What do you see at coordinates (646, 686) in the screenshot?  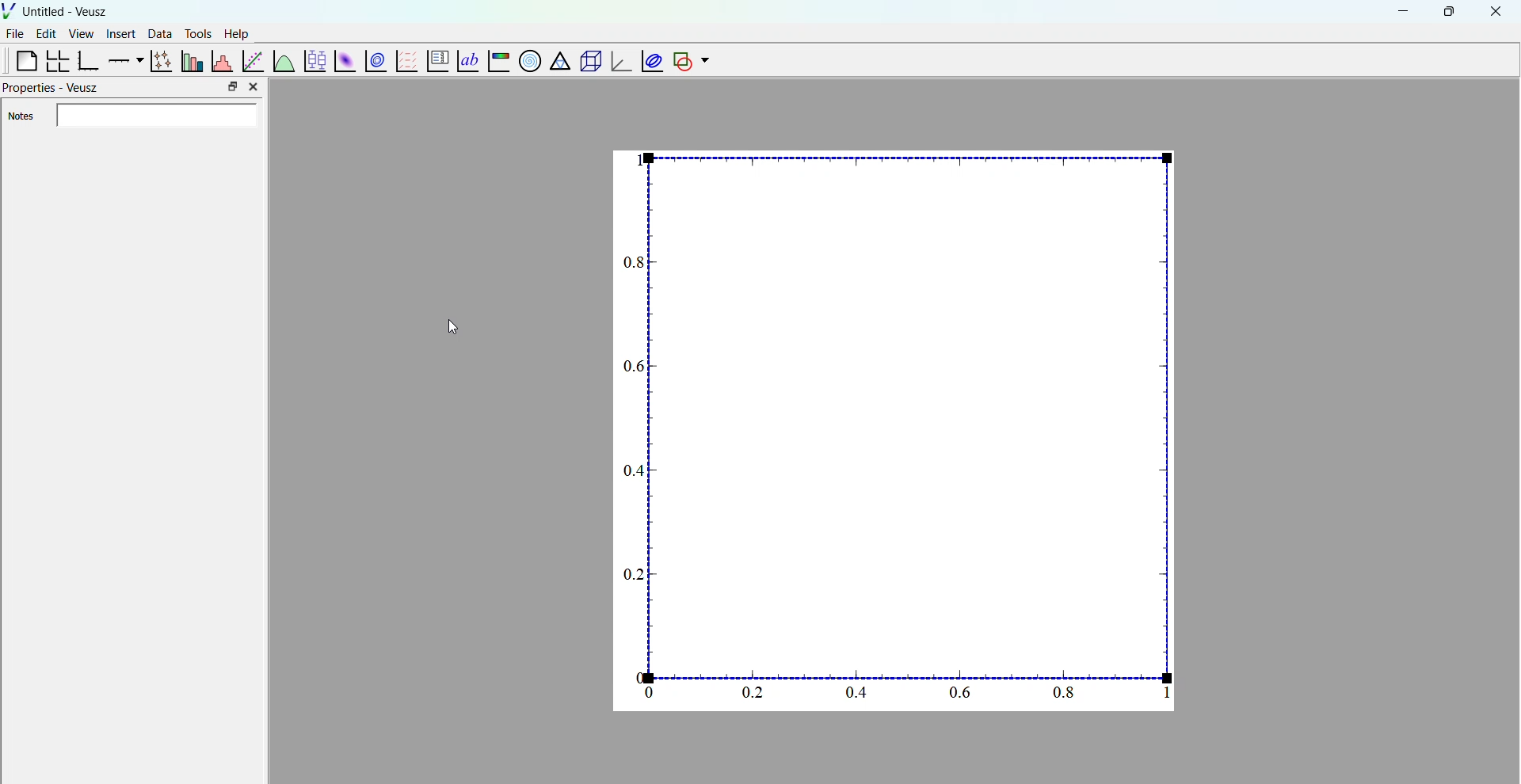 I see `0 and 0` at bounding box center [646, 686].